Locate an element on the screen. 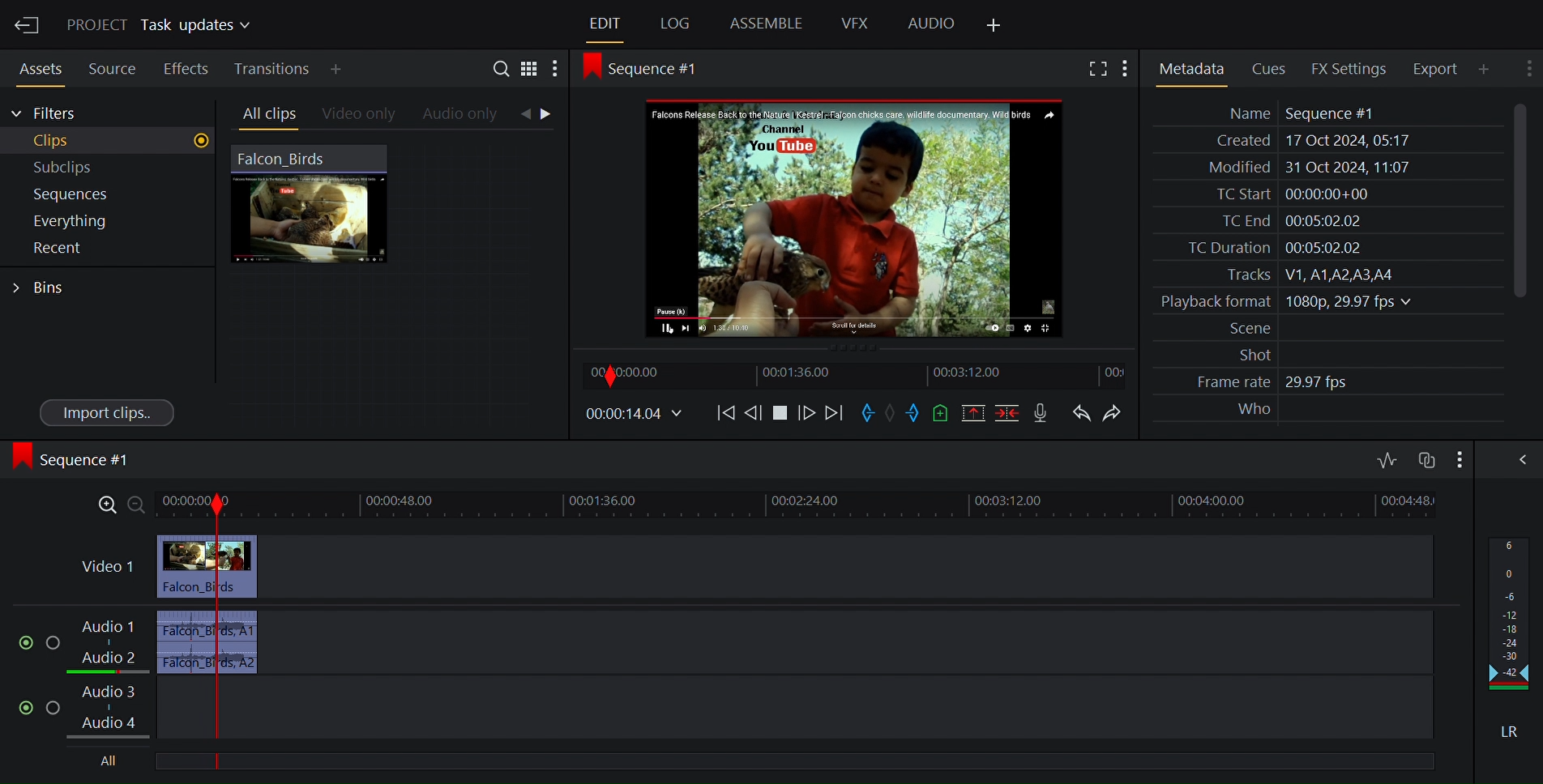 Image resolution: width=1543 pixels, height=784 pixels. FX Settings is located at coordinates (1347, 68).